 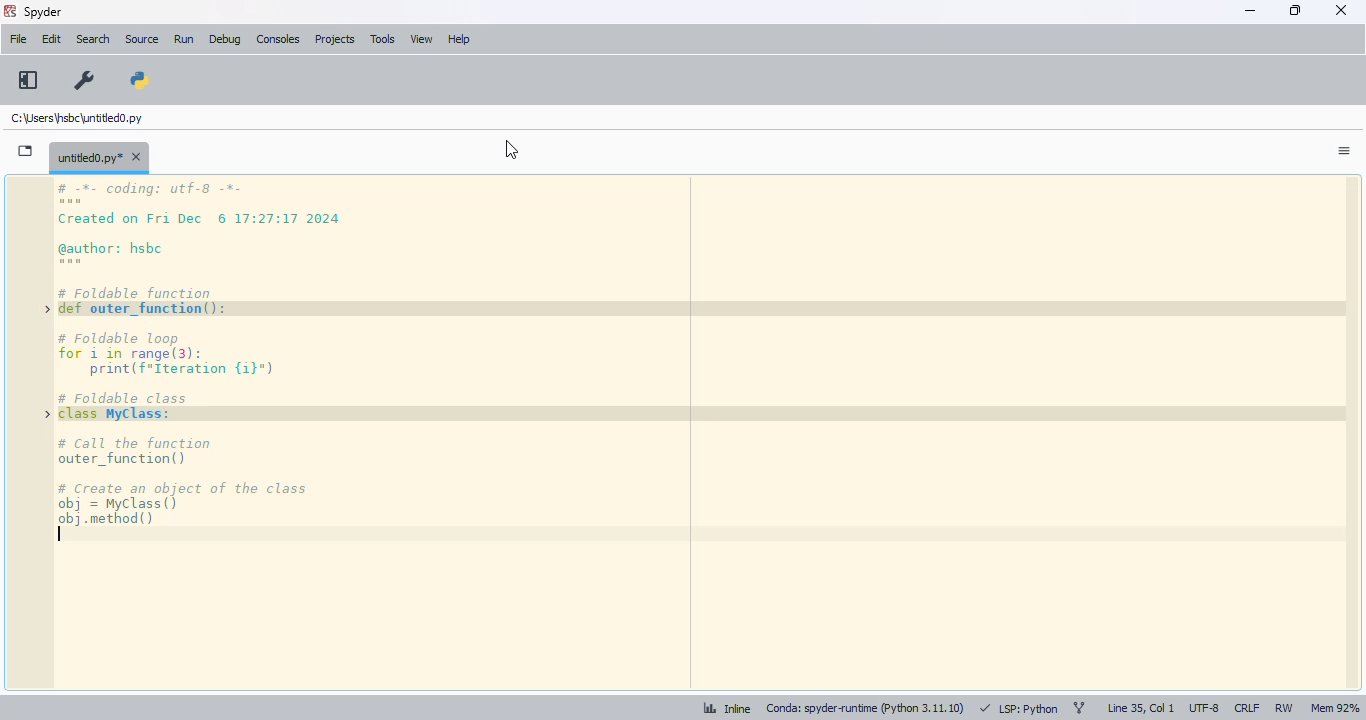 What do you see at coordinates (1079, 709) in the screenshot?
I see `git branch` at bounding box center [1079, 709].